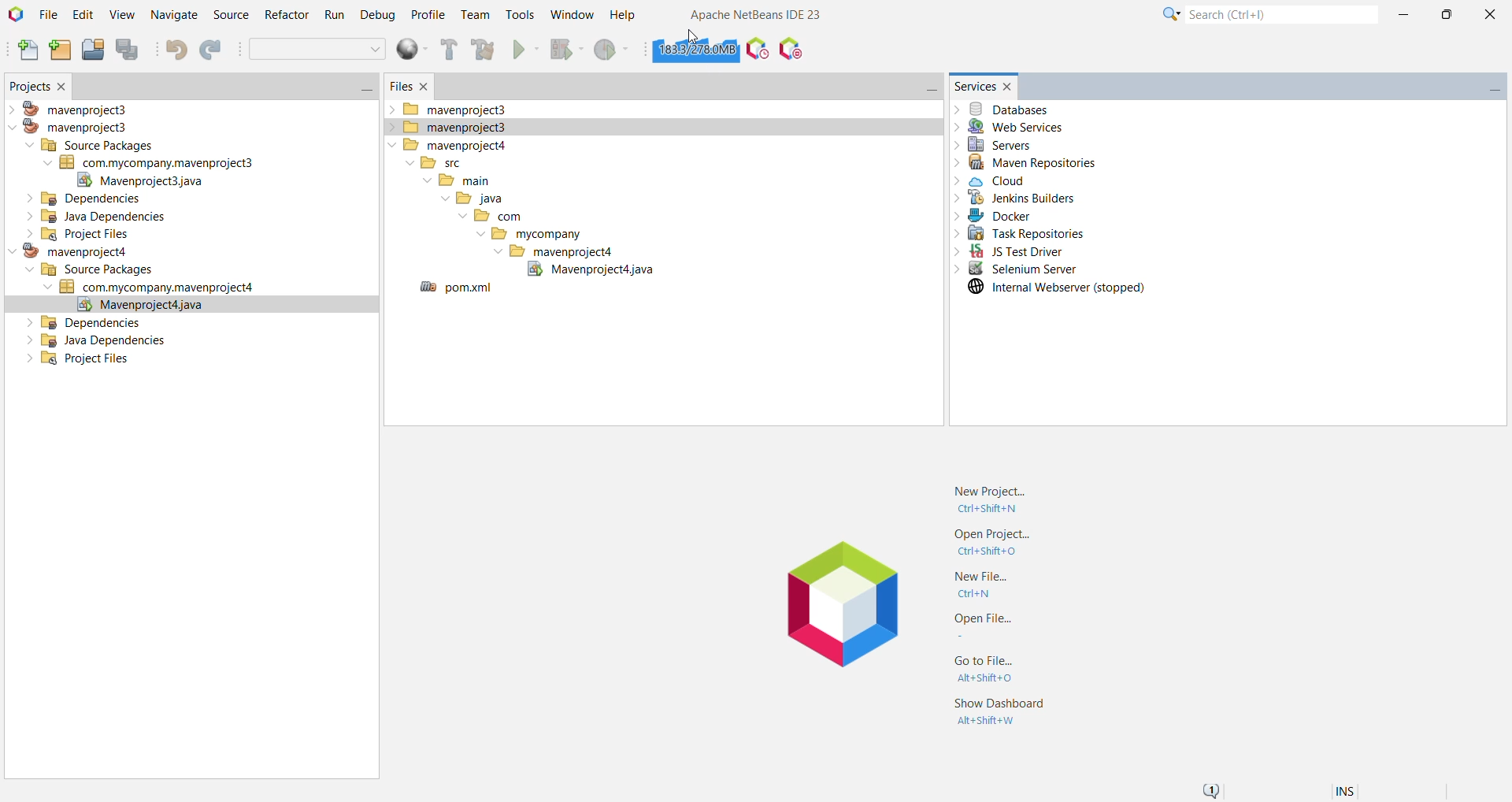 The image size is (1512, 802). Describe the element at coordinates (1489, 13) in the screenshot. I see `Close` at that location.